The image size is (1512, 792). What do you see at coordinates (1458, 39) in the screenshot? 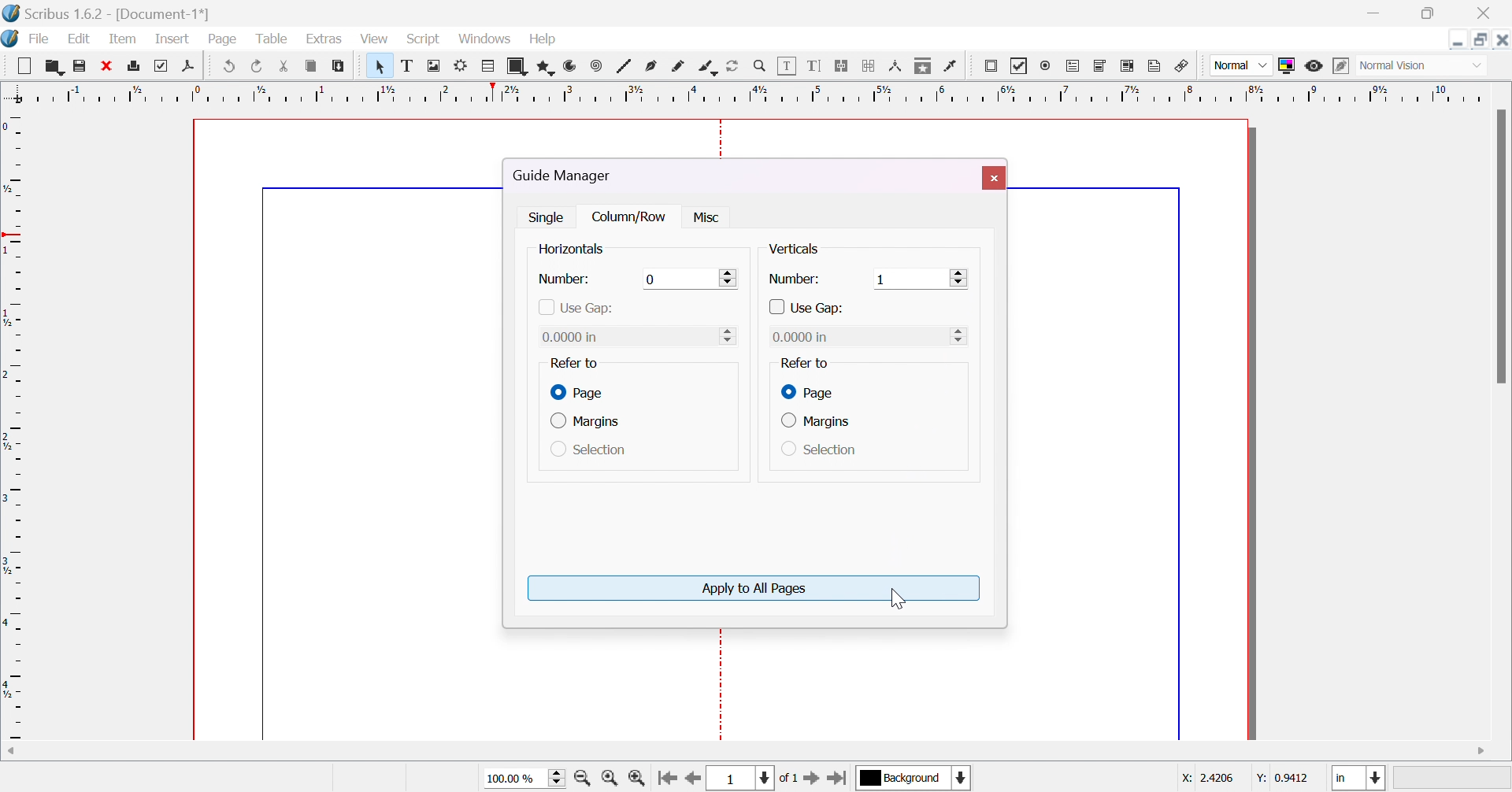
I see `Minimize` at bounding box center [1458, 39].